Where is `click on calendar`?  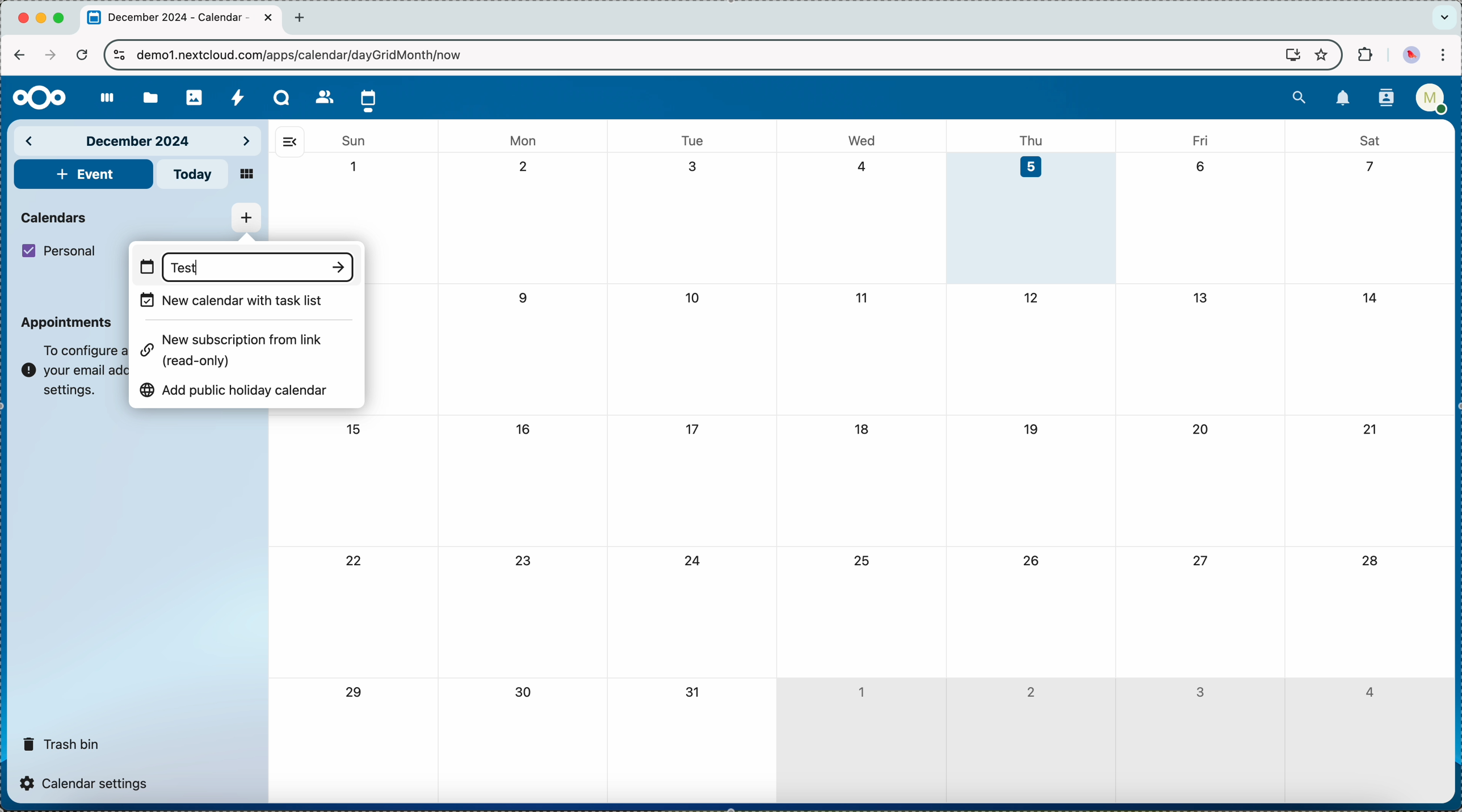
click on calendar is located at coordinates (369, 99).